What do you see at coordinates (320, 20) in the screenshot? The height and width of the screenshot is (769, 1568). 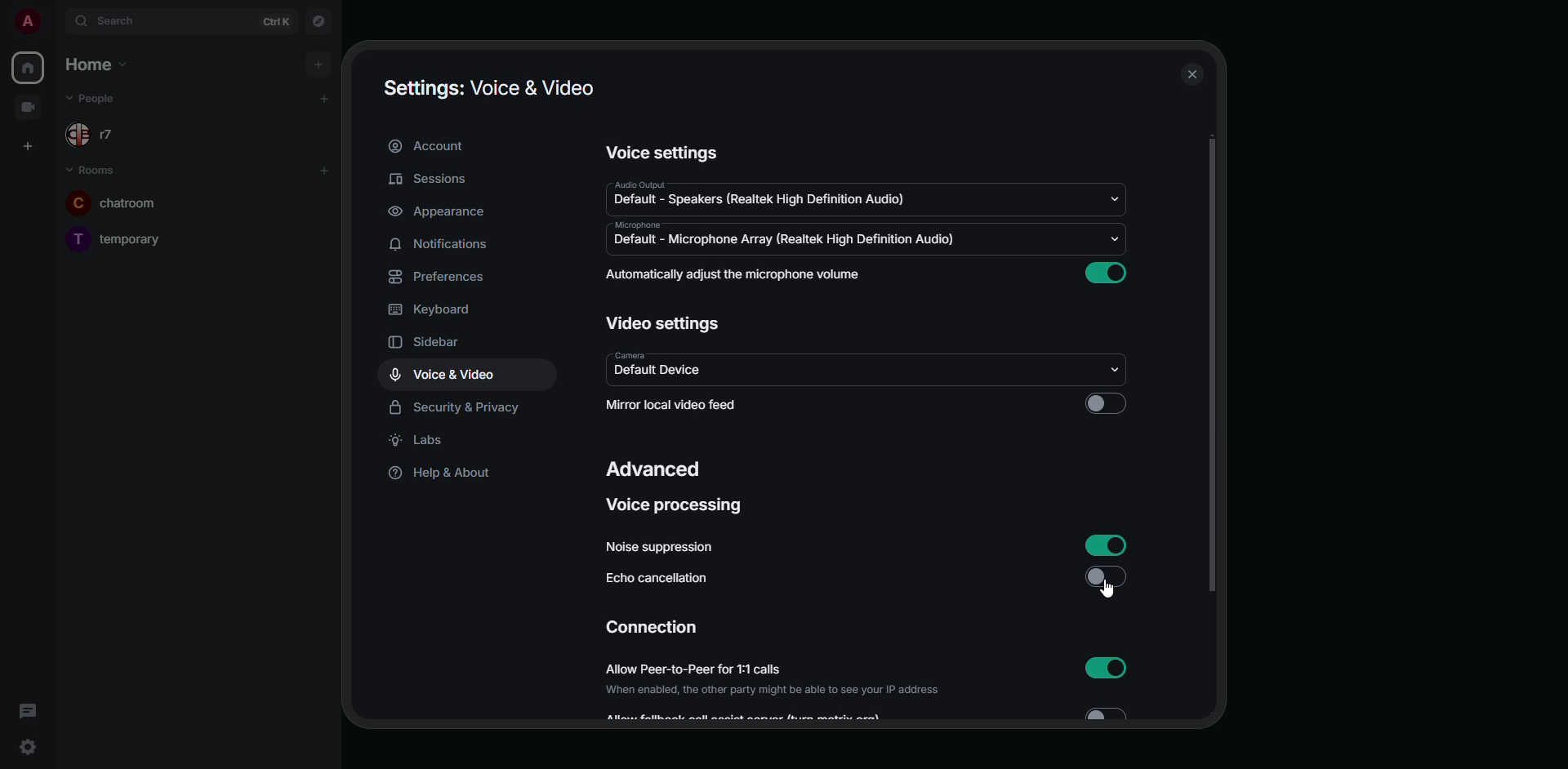 I see `navigator` at bounding box center [320, 20].